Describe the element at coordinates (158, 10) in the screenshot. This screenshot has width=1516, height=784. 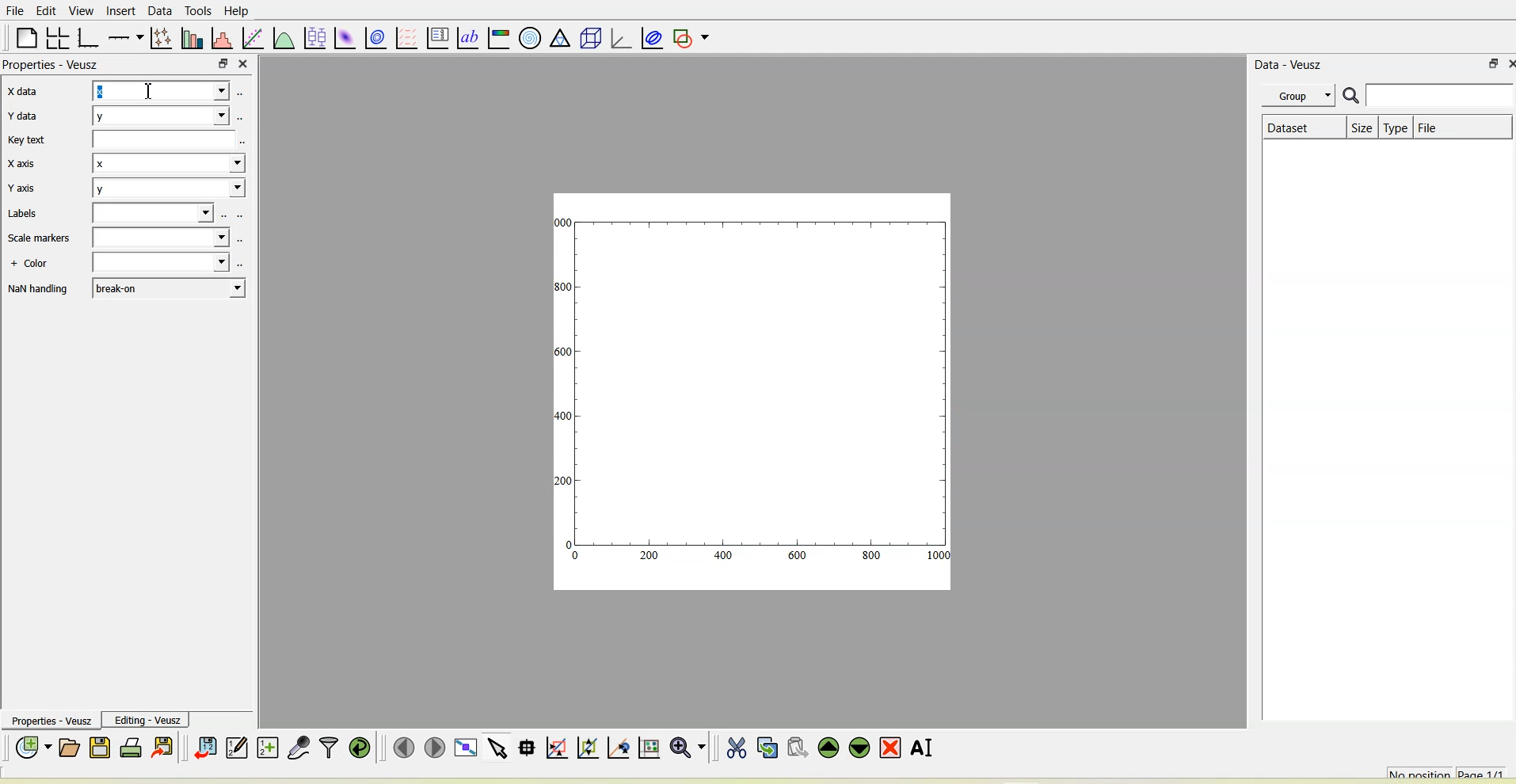
I see `Data` at that location.